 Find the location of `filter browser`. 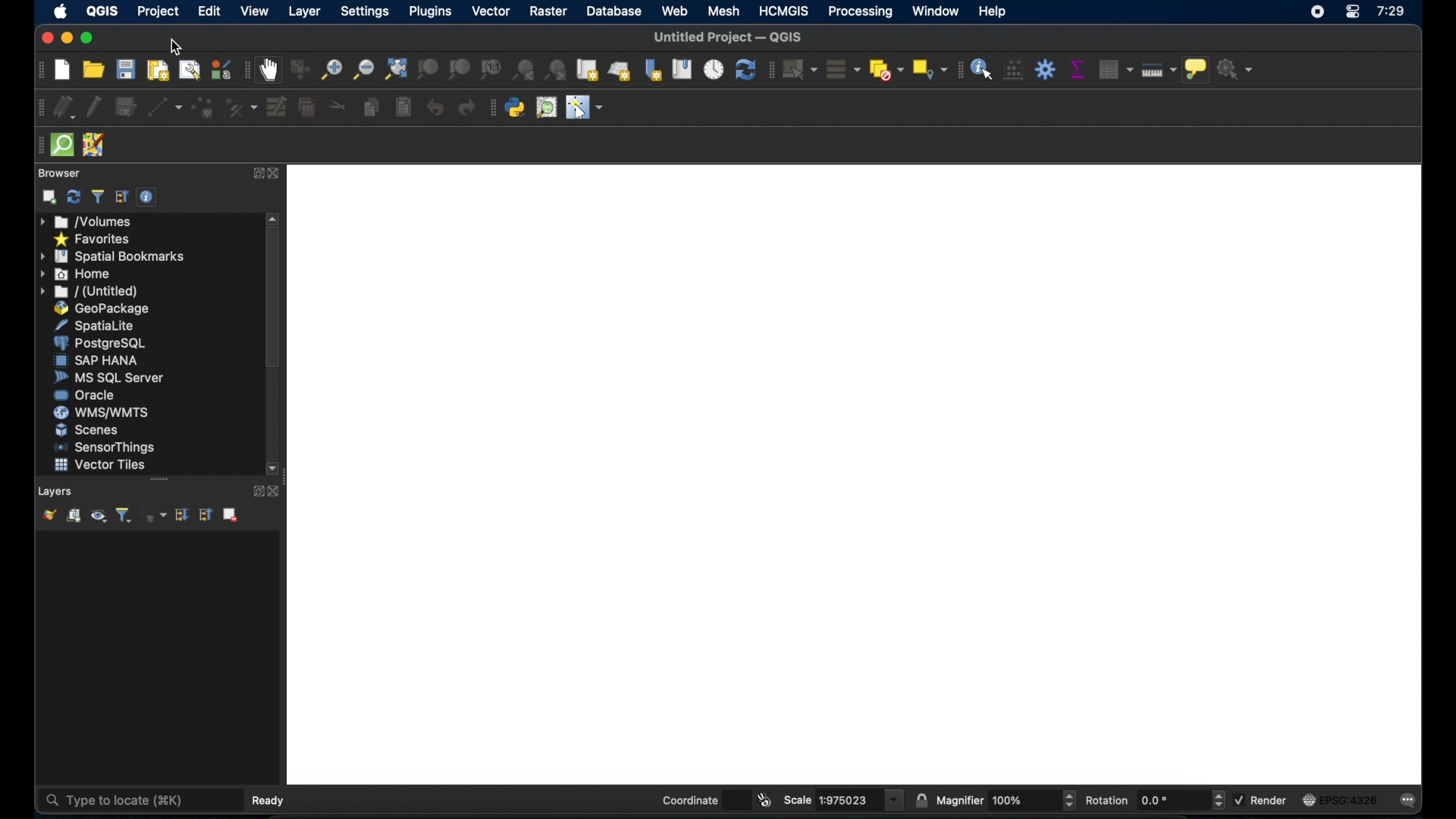

filter browser is located at coordinates (97, 196).